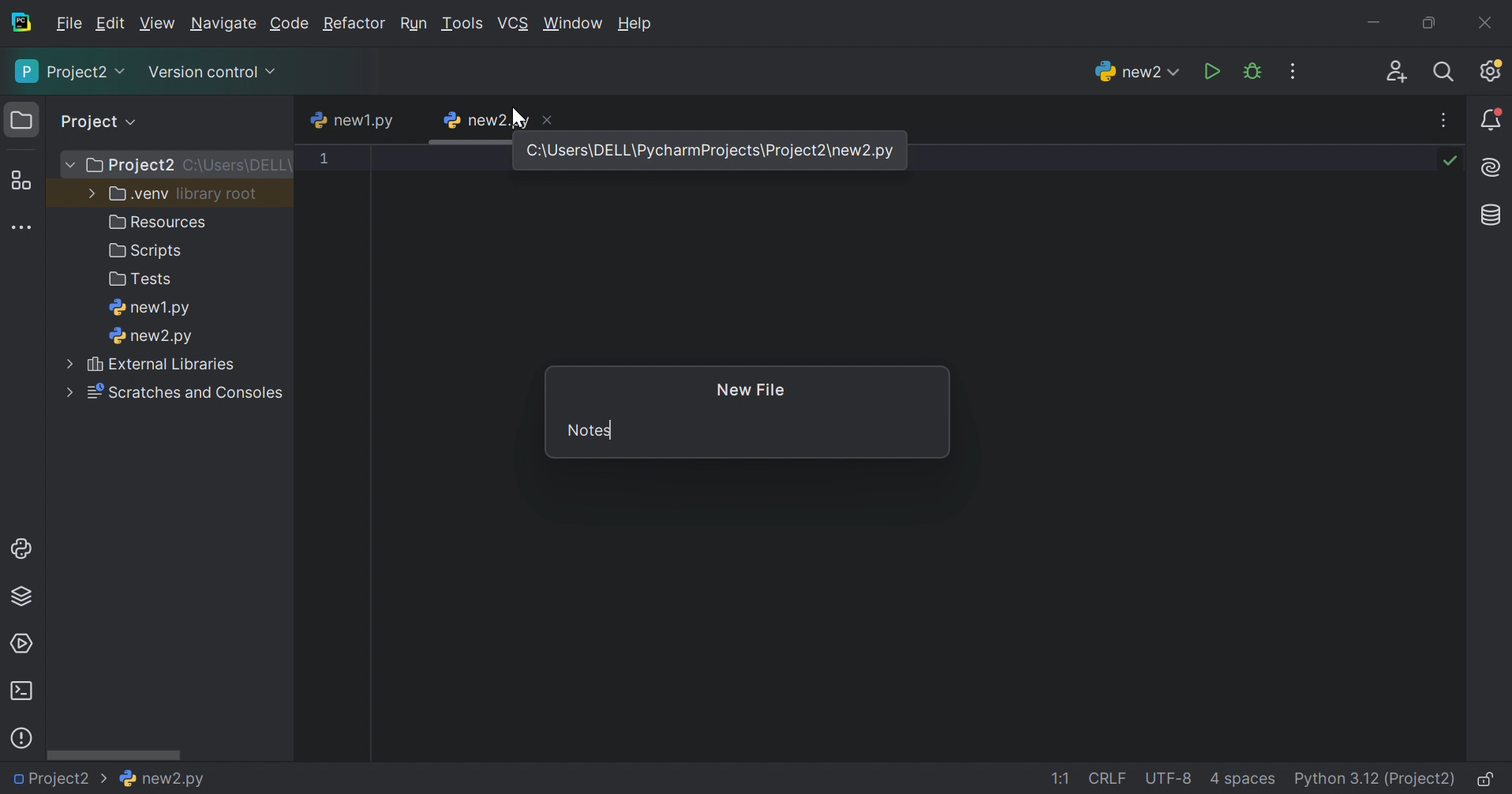  I want to click on Project2, so click(128, 167).